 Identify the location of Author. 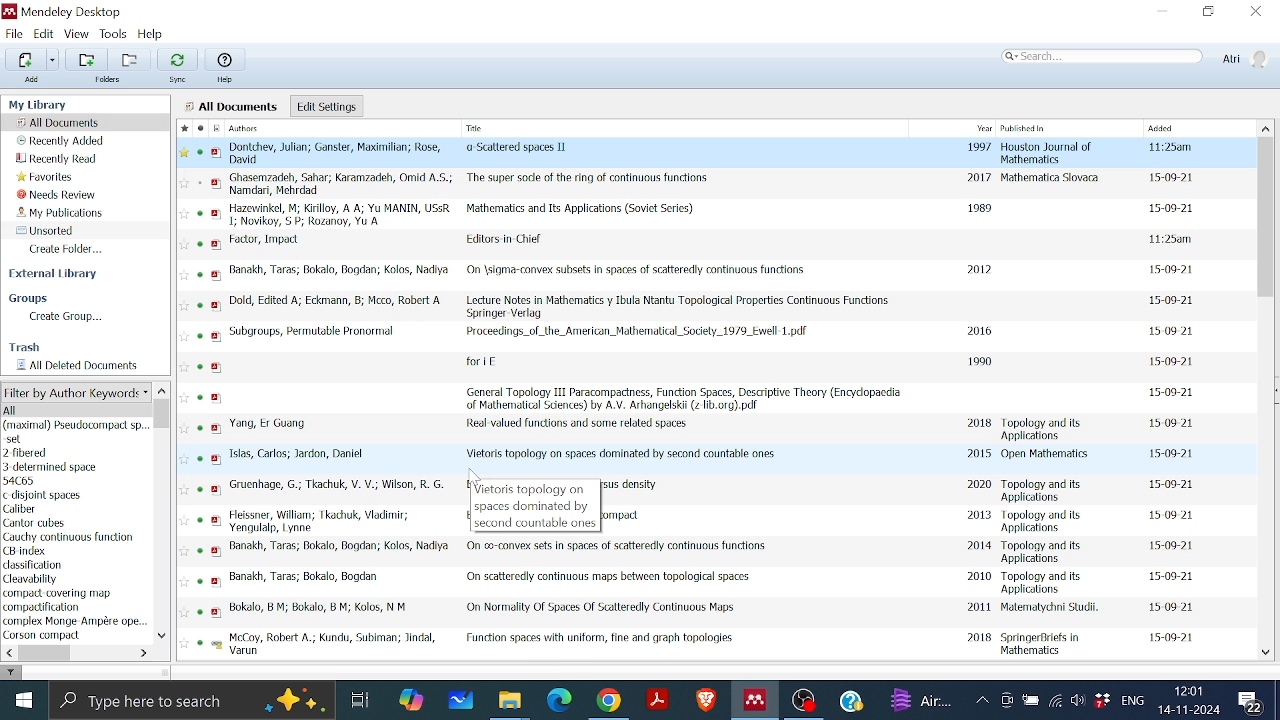
(275, 240).